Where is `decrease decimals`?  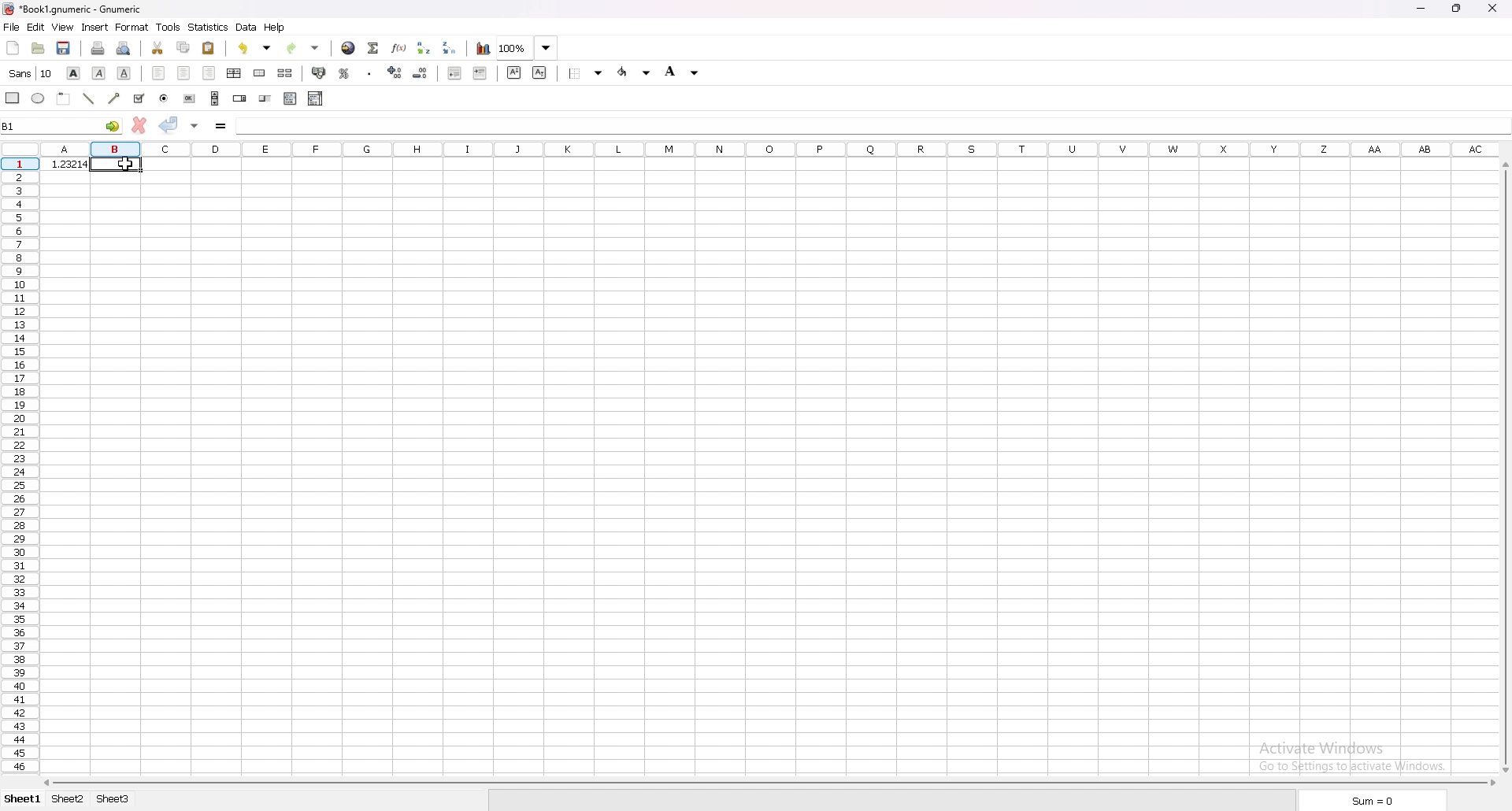 decrease decimals is located at coordinates (421, 72).